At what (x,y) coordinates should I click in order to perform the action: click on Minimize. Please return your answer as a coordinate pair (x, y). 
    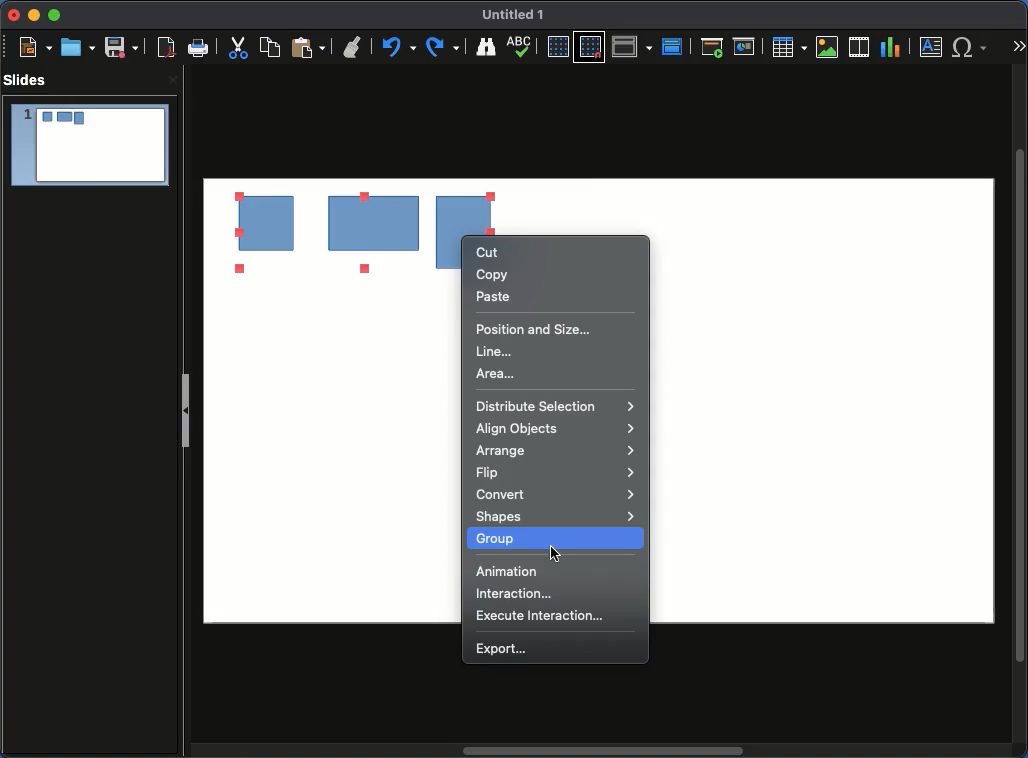
    Looking at the image, I should click on (33, 16).